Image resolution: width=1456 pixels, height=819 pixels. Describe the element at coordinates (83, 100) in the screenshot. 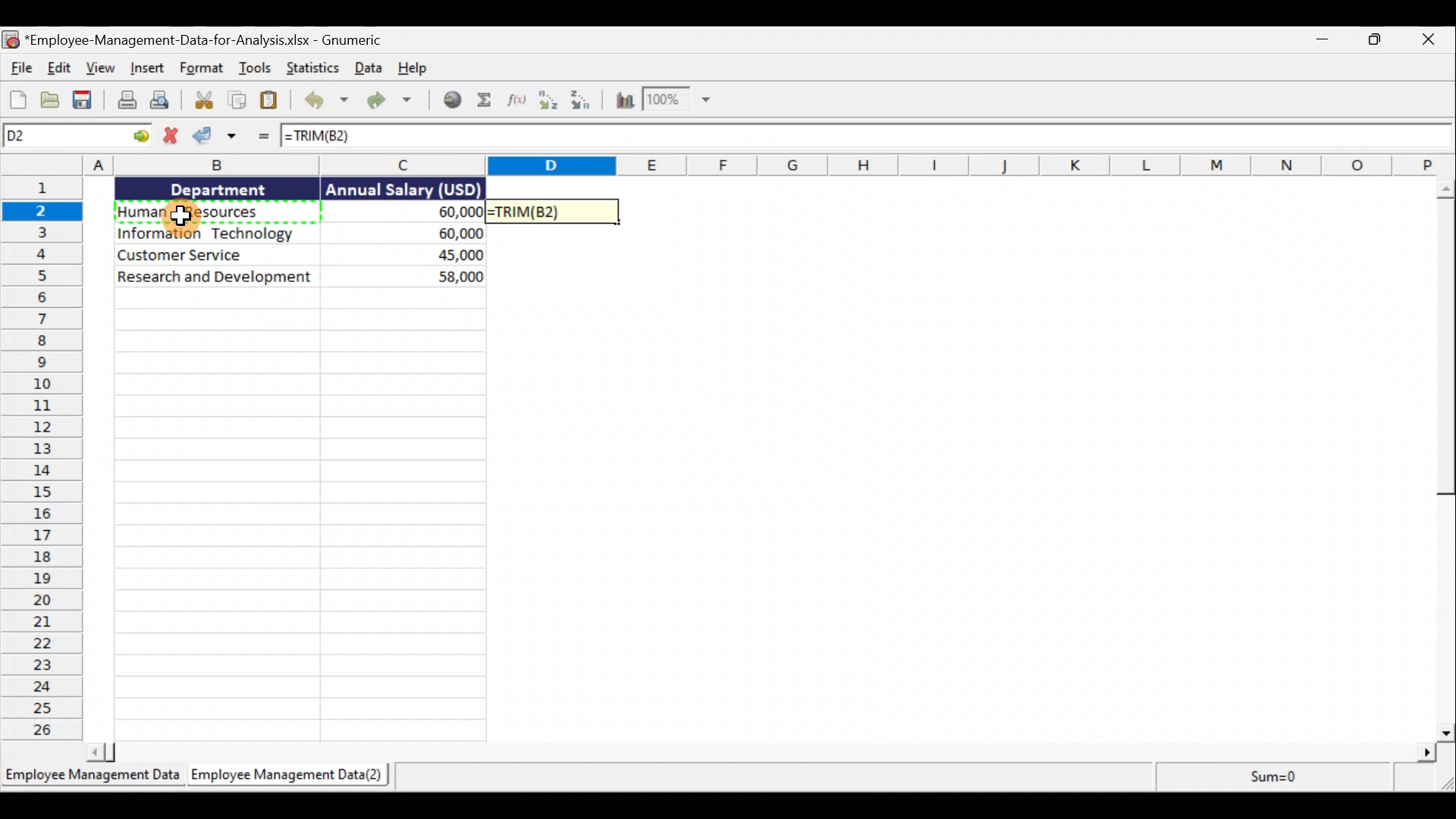

I see `Save the current workbook` at that location.